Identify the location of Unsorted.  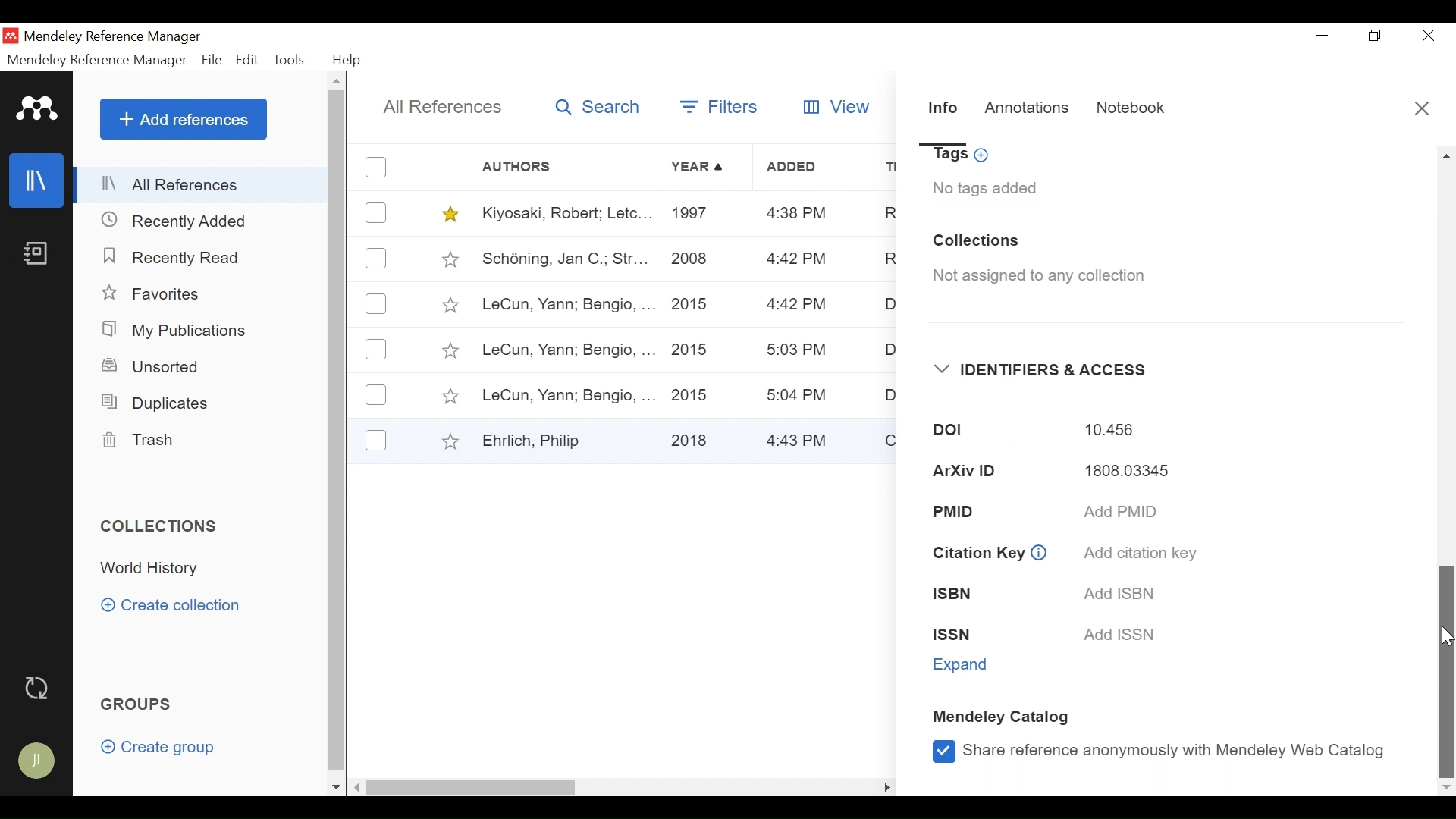
(151, 368).